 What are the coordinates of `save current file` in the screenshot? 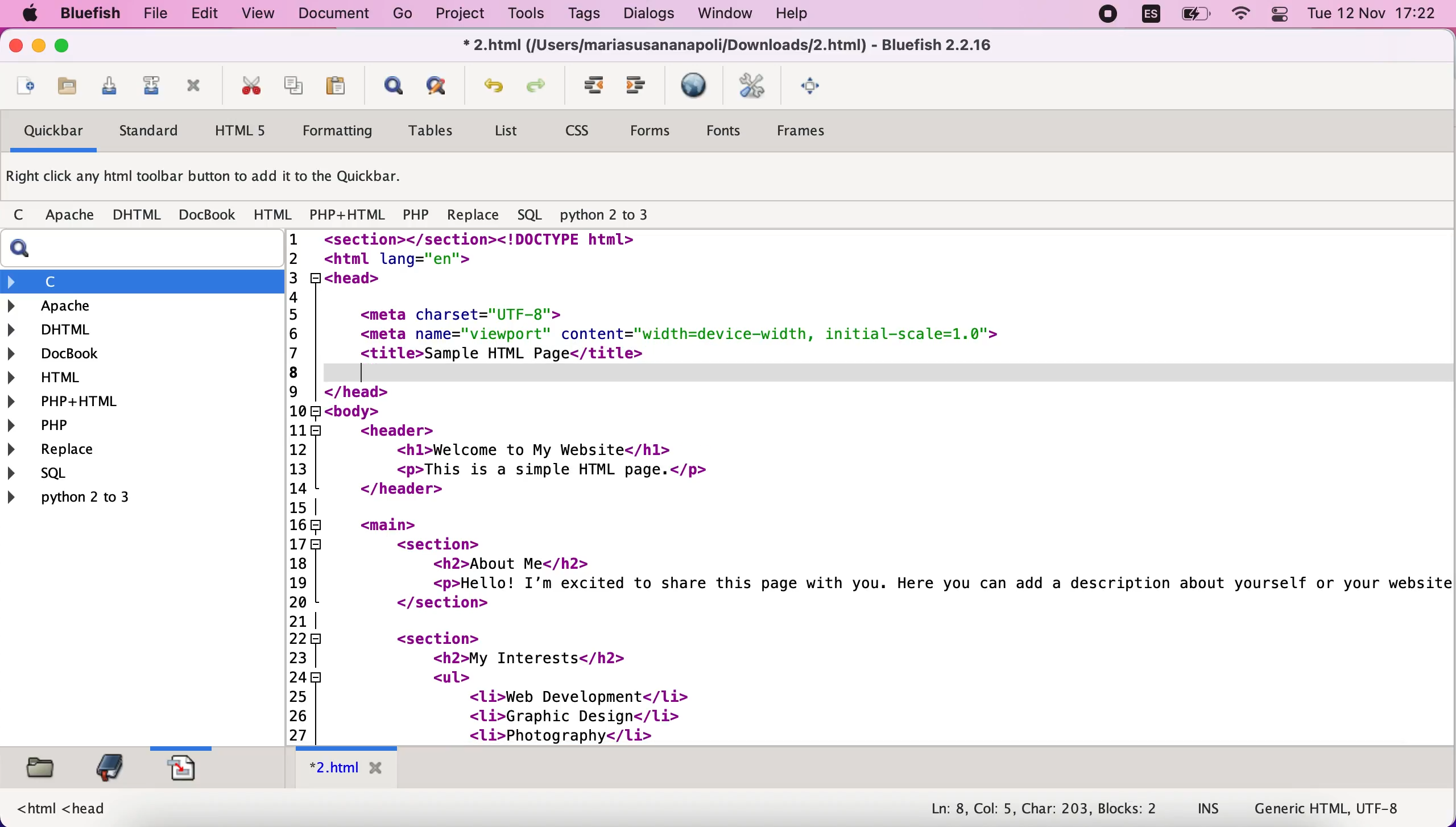 It's located at (111, 86).